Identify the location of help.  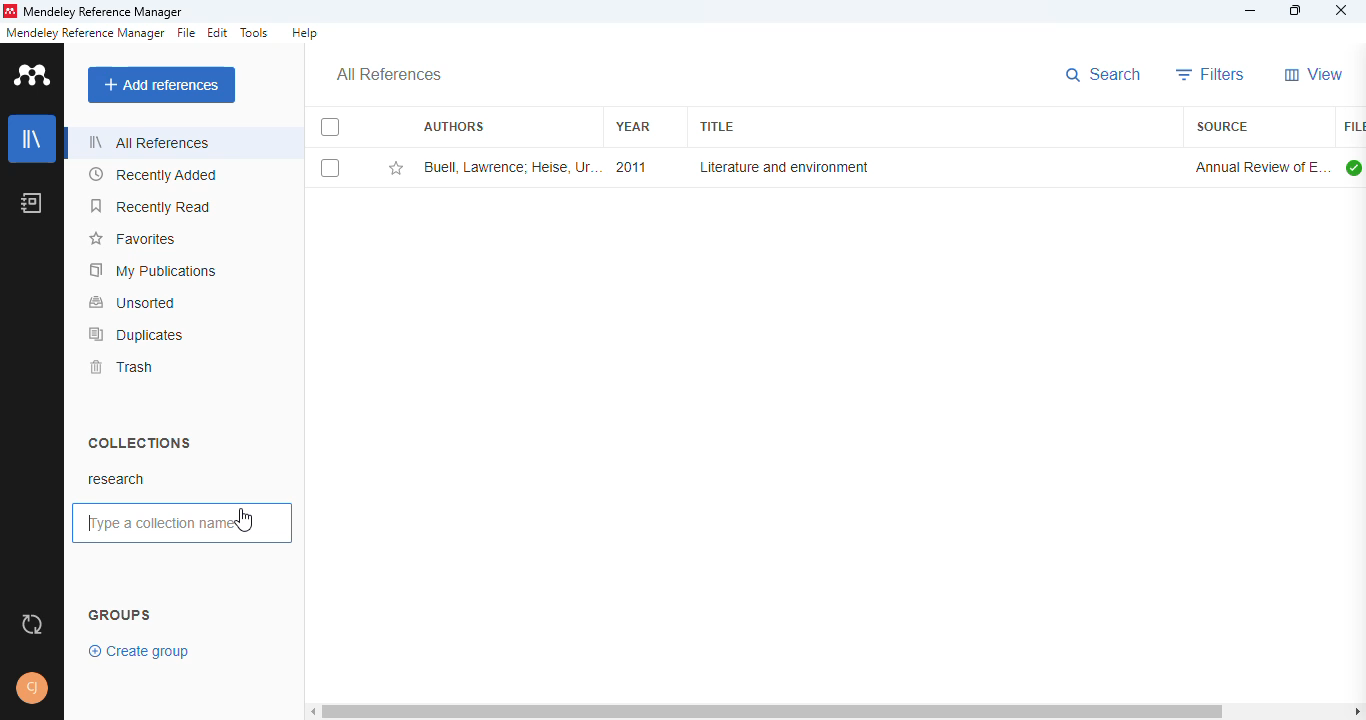
(305, 32).